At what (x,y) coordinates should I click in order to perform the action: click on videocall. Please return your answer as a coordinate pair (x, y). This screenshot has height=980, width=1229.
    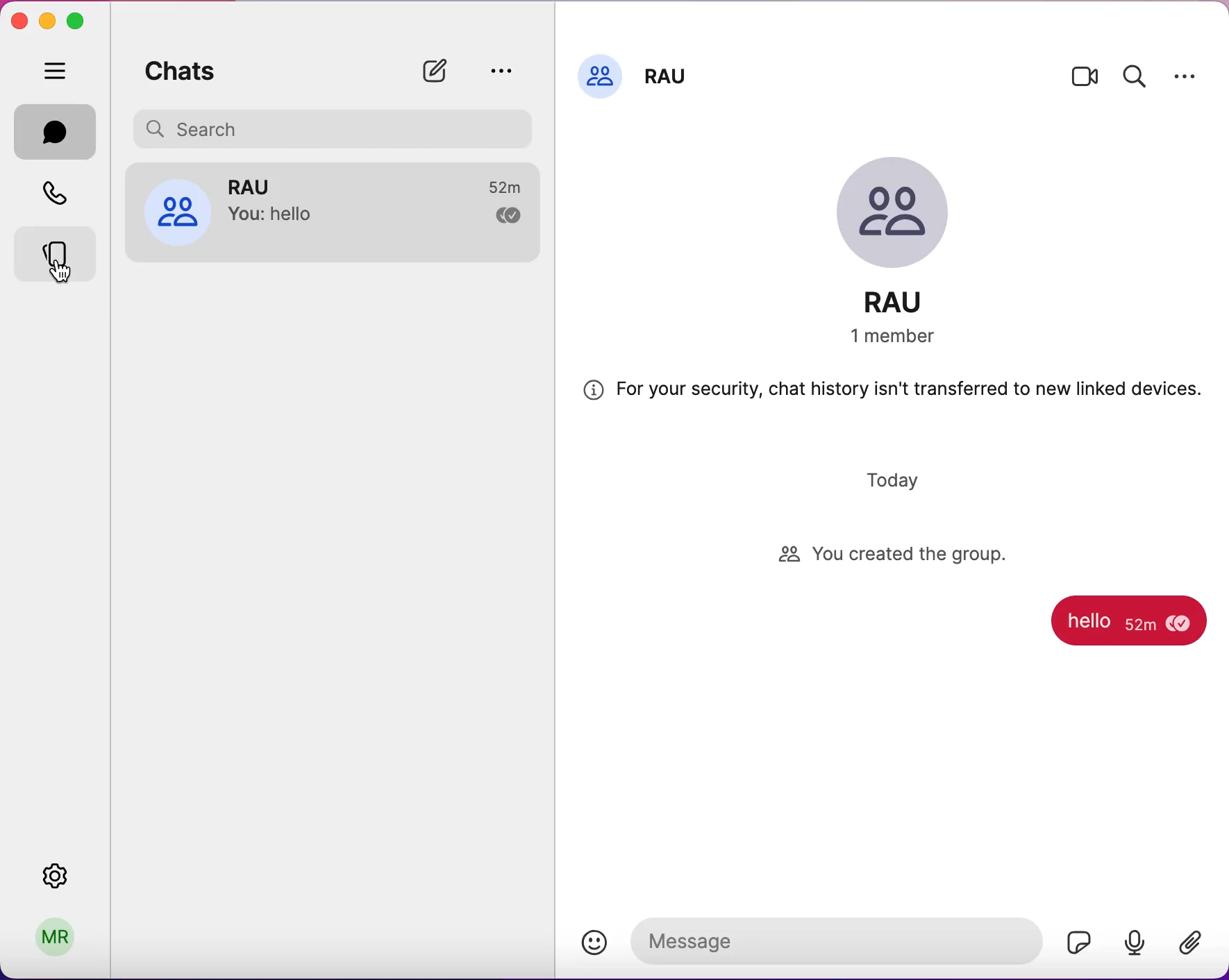
    Looking at the image, I should click on (1083, 83).